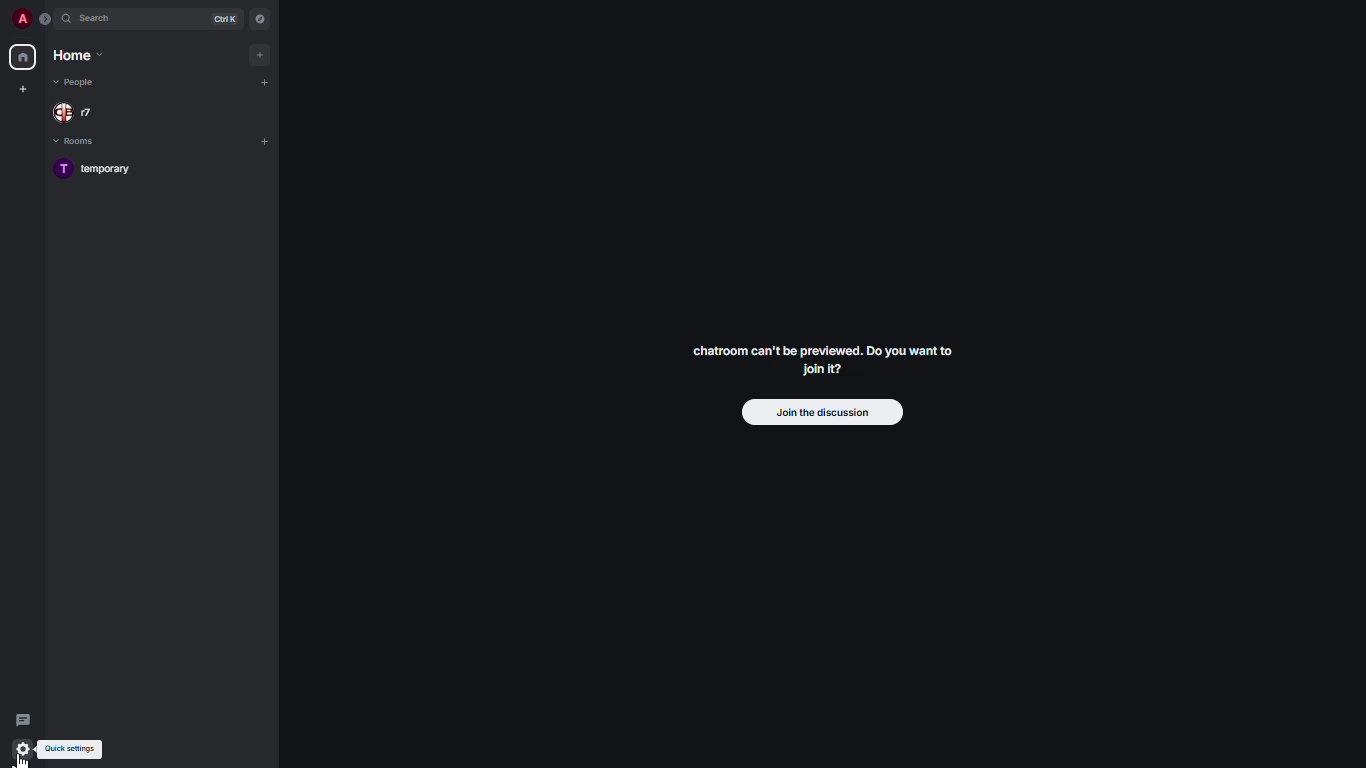 The image size is (1366, 768). What do you see at coordinates (229, 18) in the screenshot?
I see `ctrl K` at bounding box center [229, 18].